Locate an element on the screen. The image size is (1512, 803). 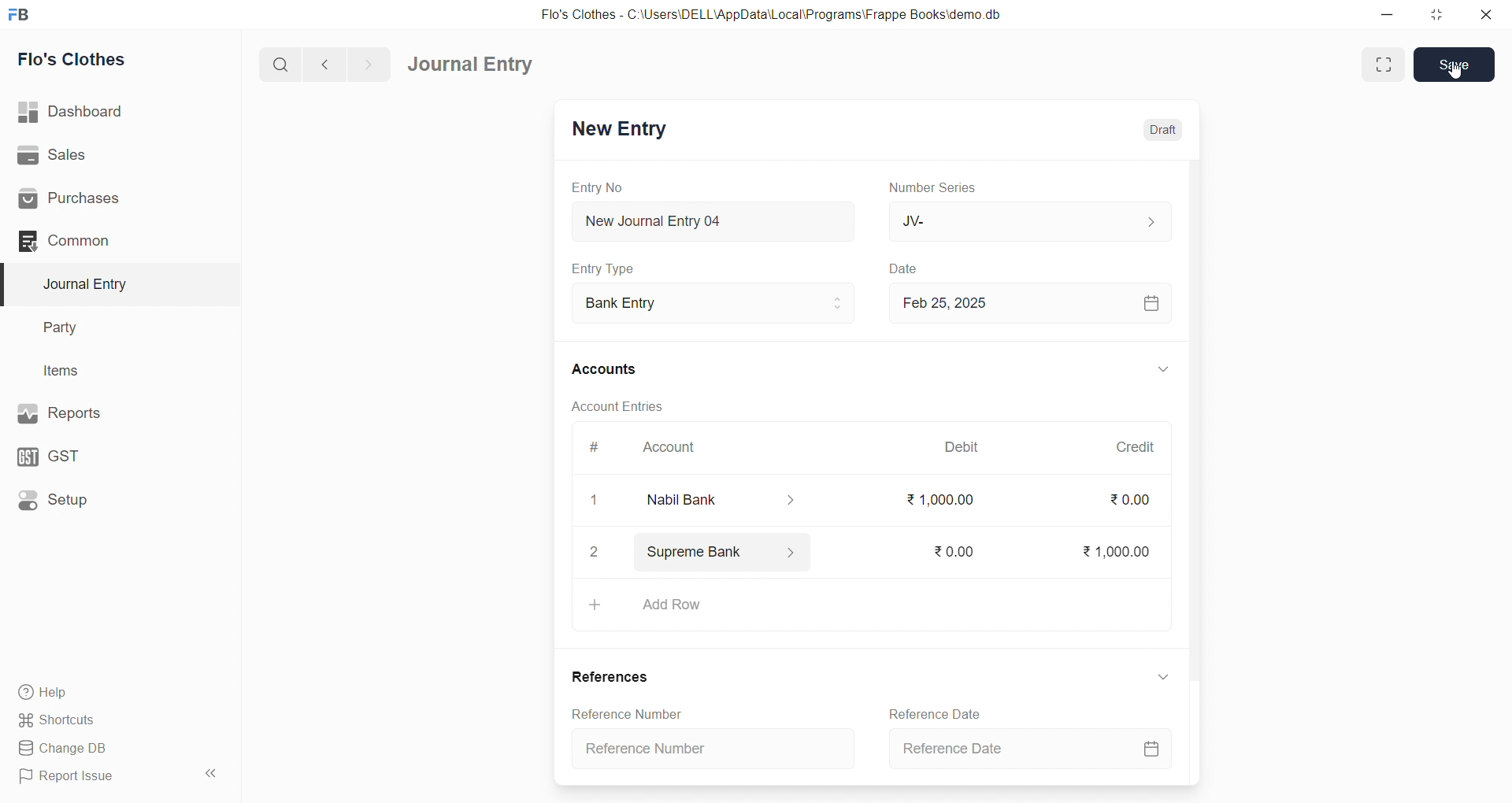
Purchases is located at coordinates (113, 199).